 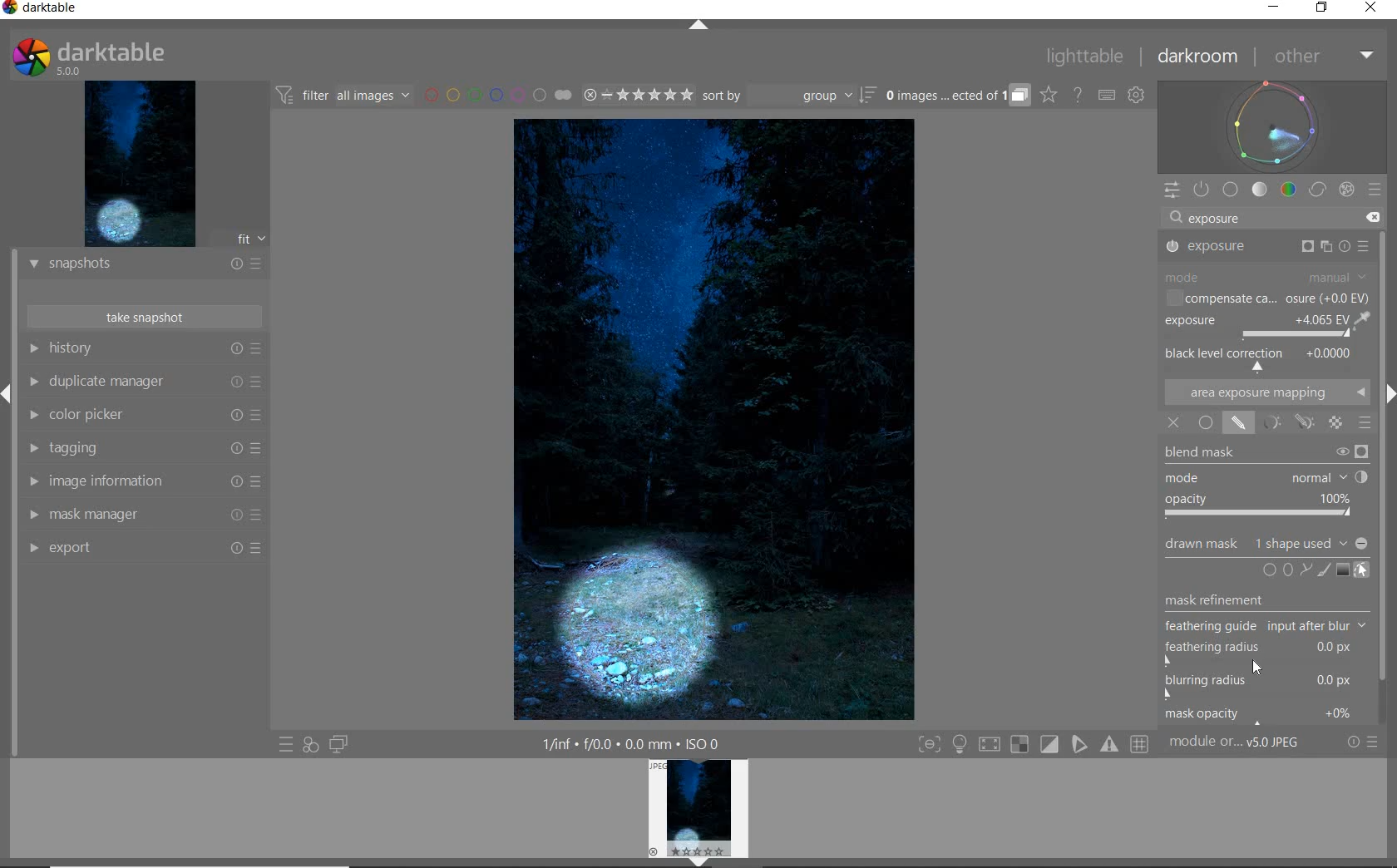 I want to click on SYSTEM LOGO, so click(x=91, y=55).